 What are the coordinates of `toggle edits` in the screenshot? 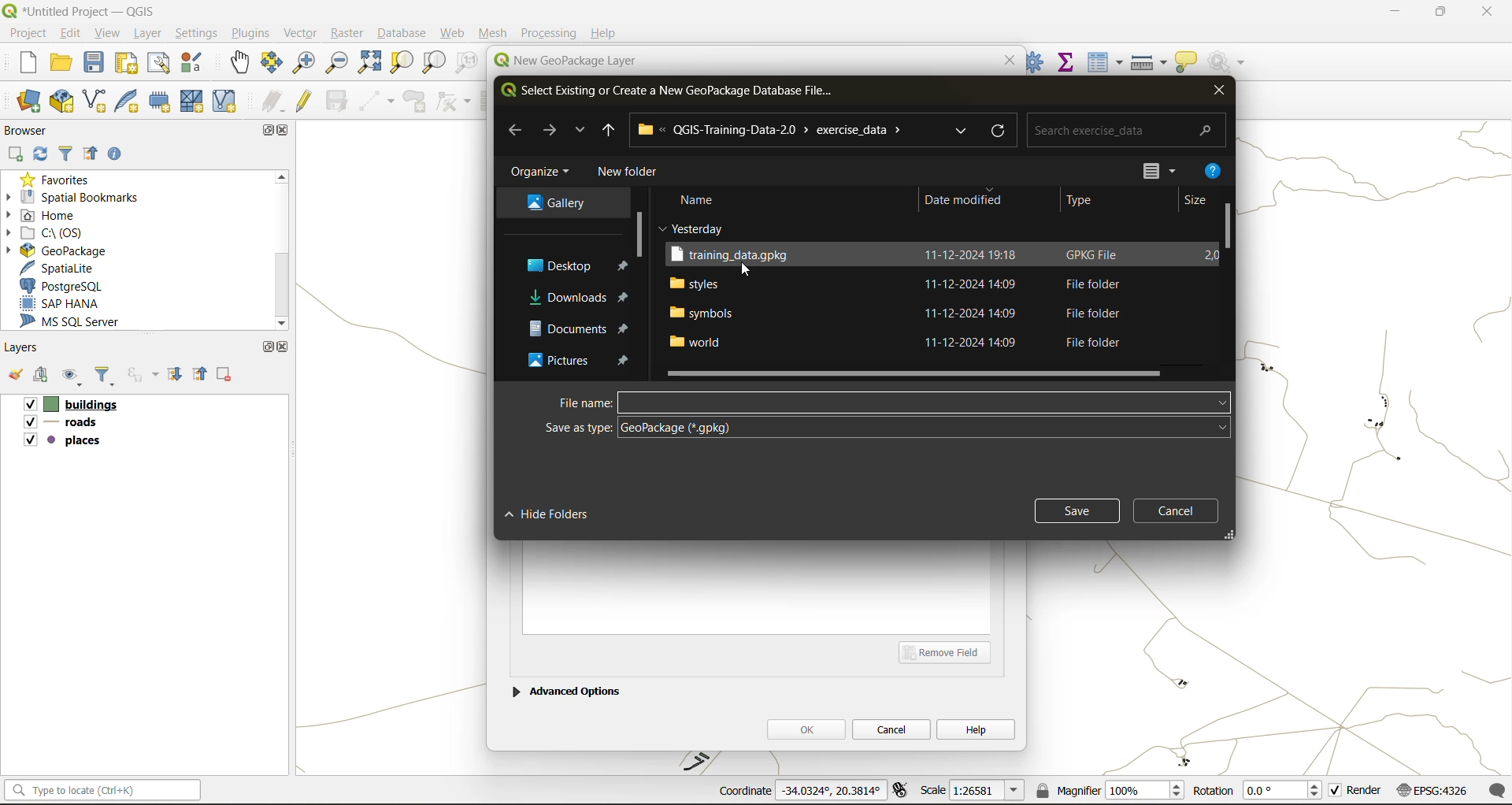 It's located at (305, 101).